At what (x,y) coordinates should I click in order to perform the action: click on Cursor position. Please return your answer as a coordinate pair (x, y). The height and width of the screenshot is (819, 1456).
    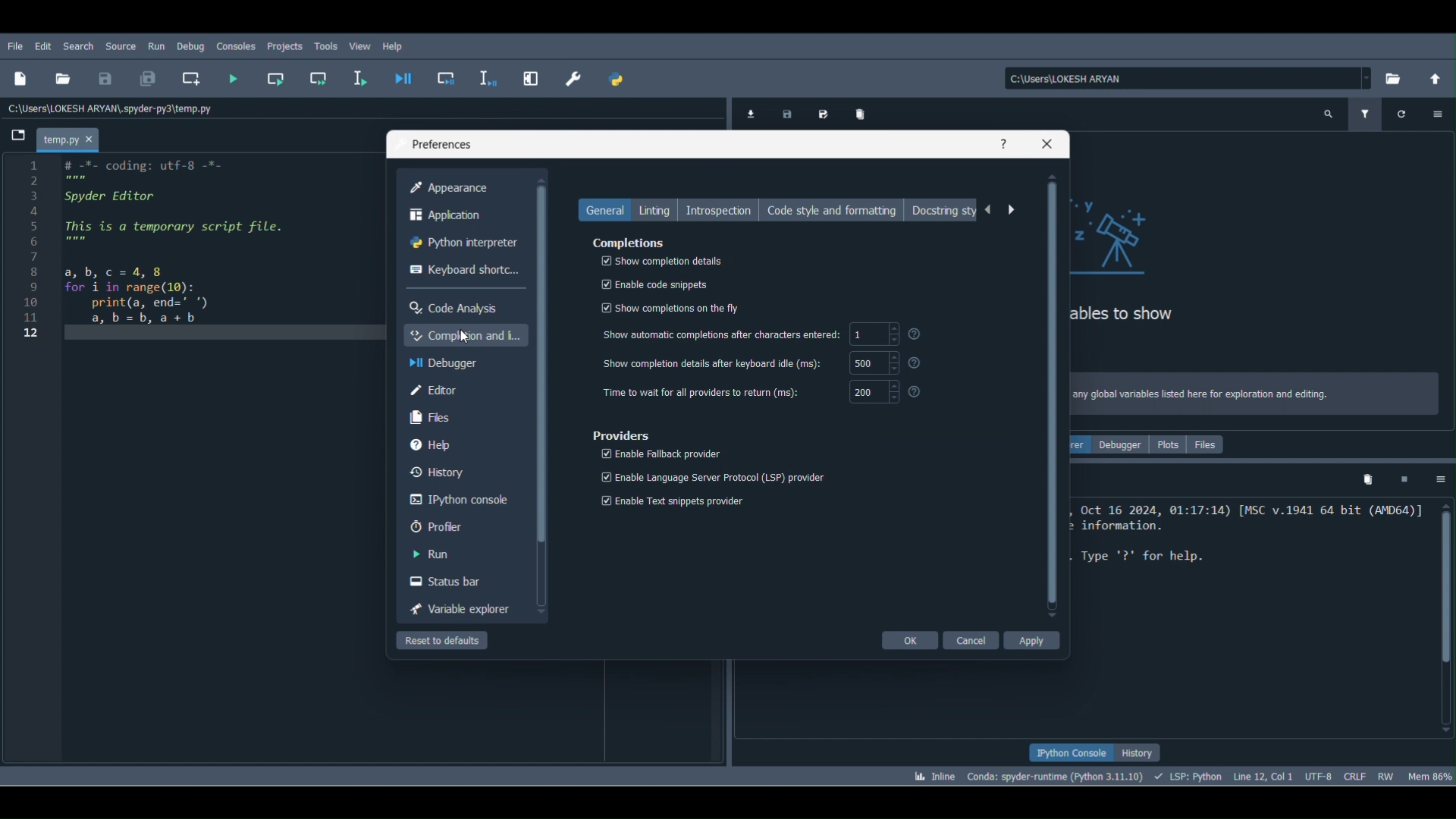
    Looking at the image, I should click on (1266, 774).